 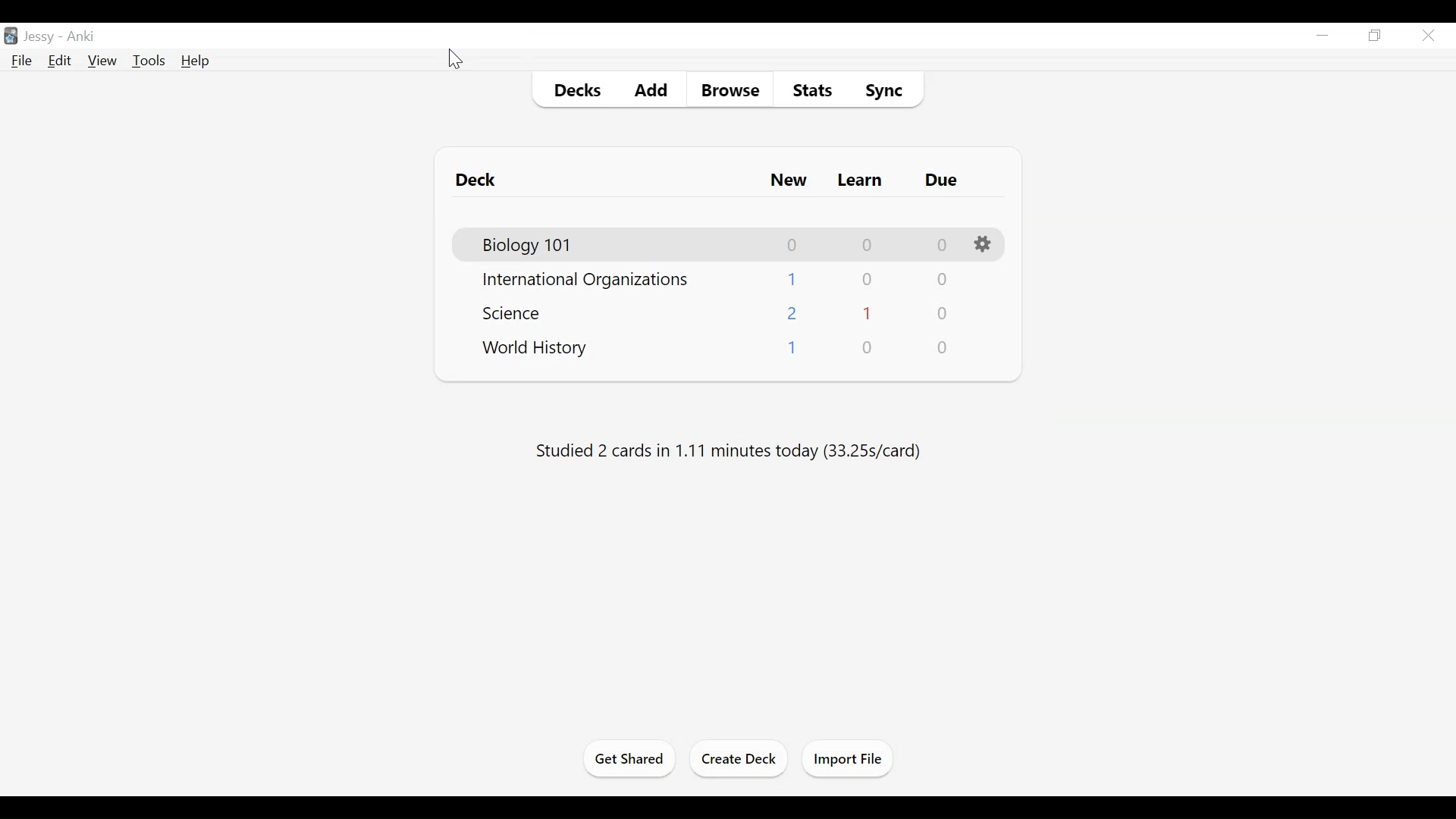 What do you see at coordinates (588, 281) in the screenshot?
I see `Deck Name` at bounding box center [588, 281].